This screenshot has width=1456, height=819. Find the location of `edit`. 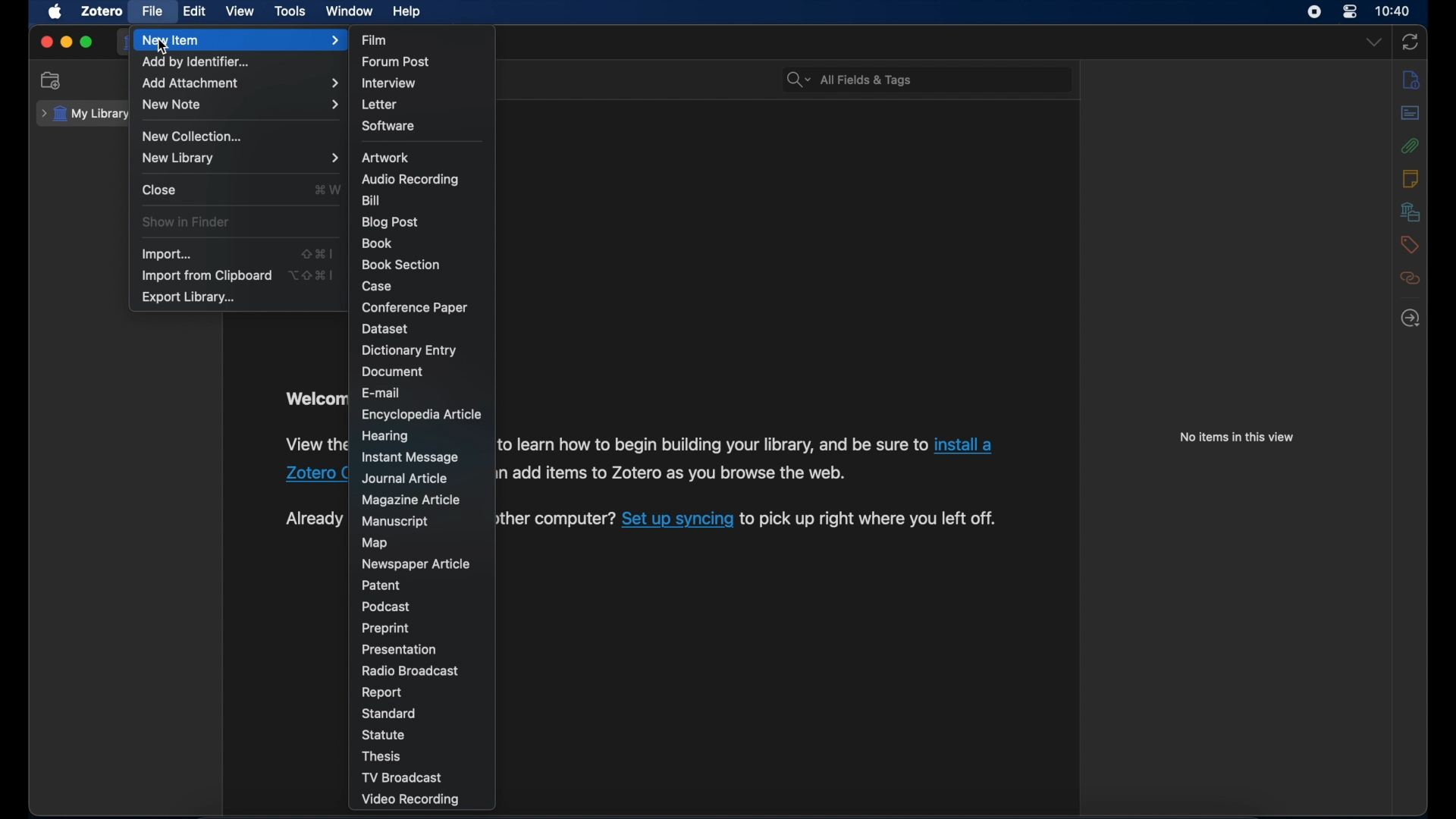

edit is located at coordinates (196, 10).